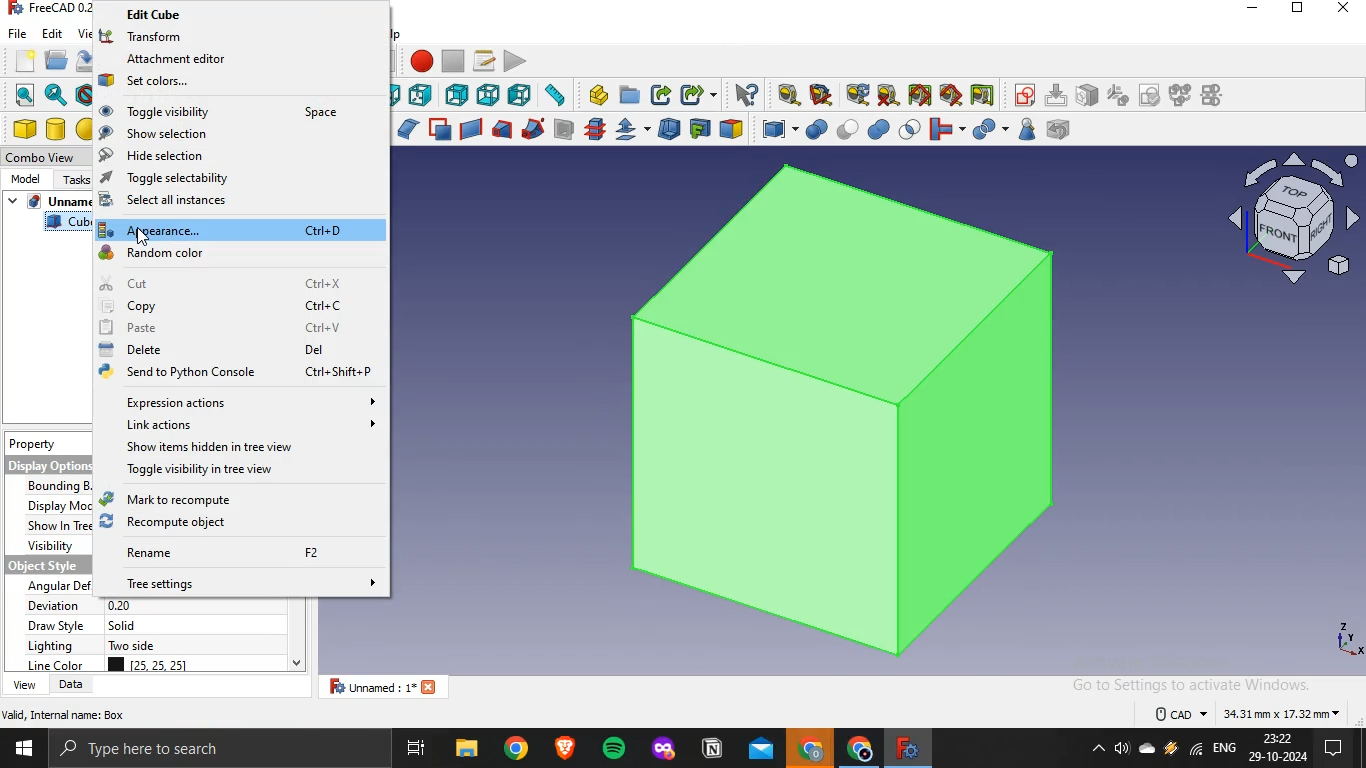 The height and width of the screenshot is (768, 1366). What do you see at coordinates (46, 156) in the screenshot?
I see `combo view` at bounding box center [46, 156].